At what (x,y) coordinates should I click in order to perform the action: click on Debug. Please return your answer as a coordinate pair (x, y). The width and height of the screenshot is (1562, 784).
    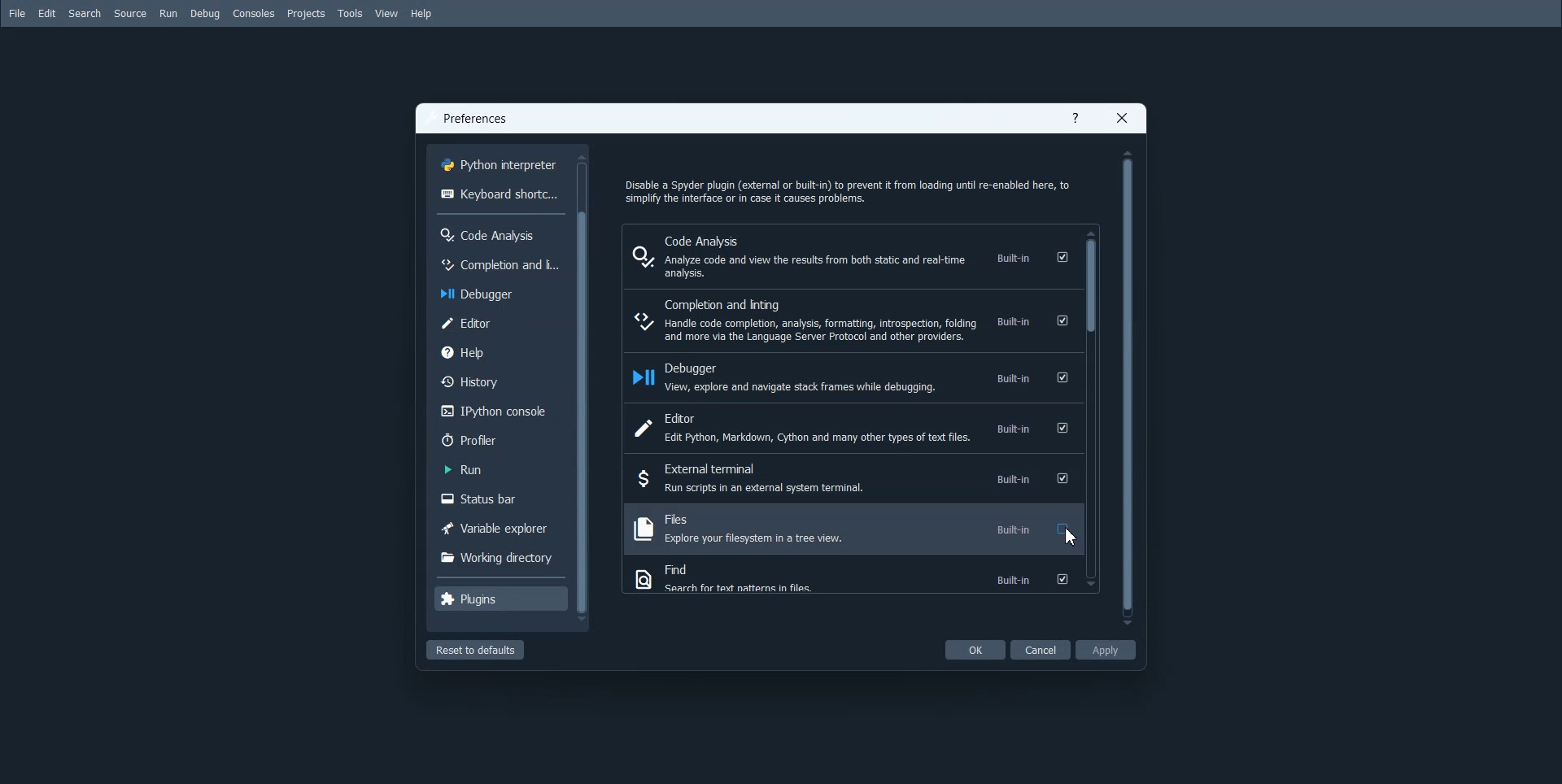
    Looking at the image, I should click on (206, 14).